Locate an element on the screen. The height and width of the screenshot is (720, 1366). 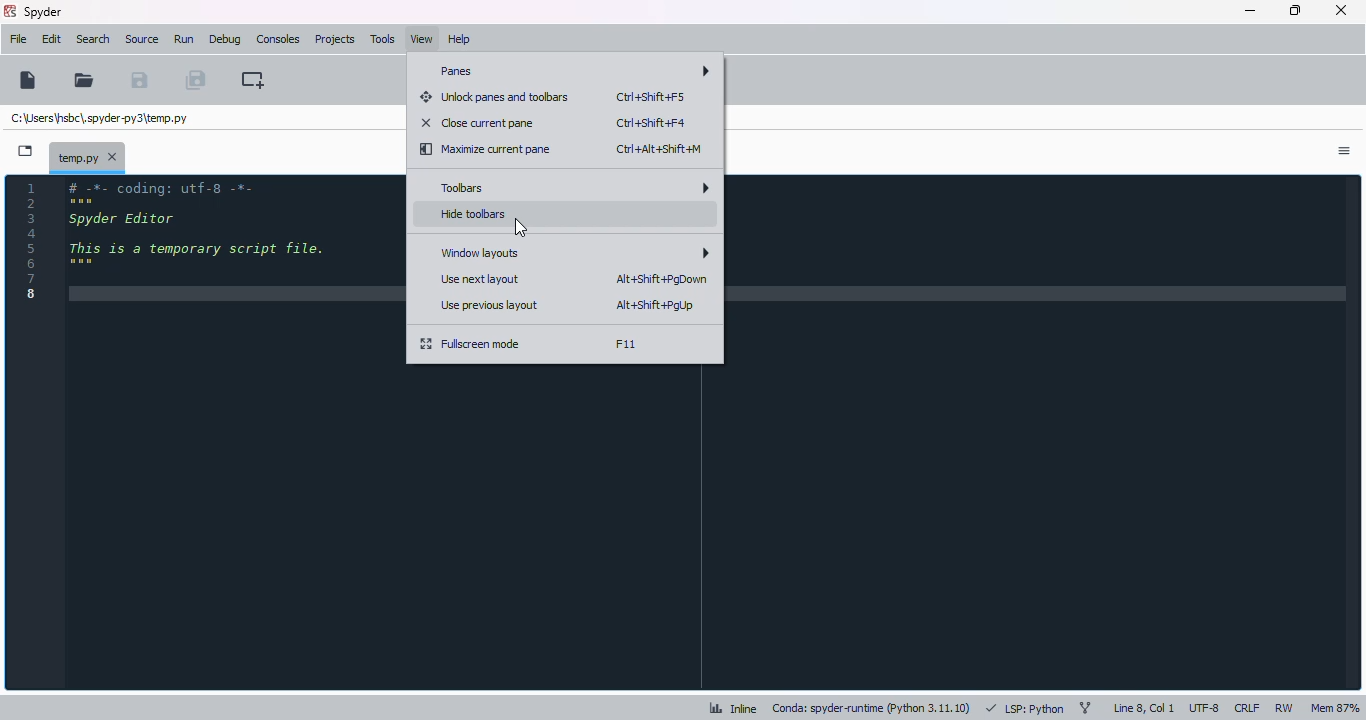
new file is located at coordinates (27, 79).